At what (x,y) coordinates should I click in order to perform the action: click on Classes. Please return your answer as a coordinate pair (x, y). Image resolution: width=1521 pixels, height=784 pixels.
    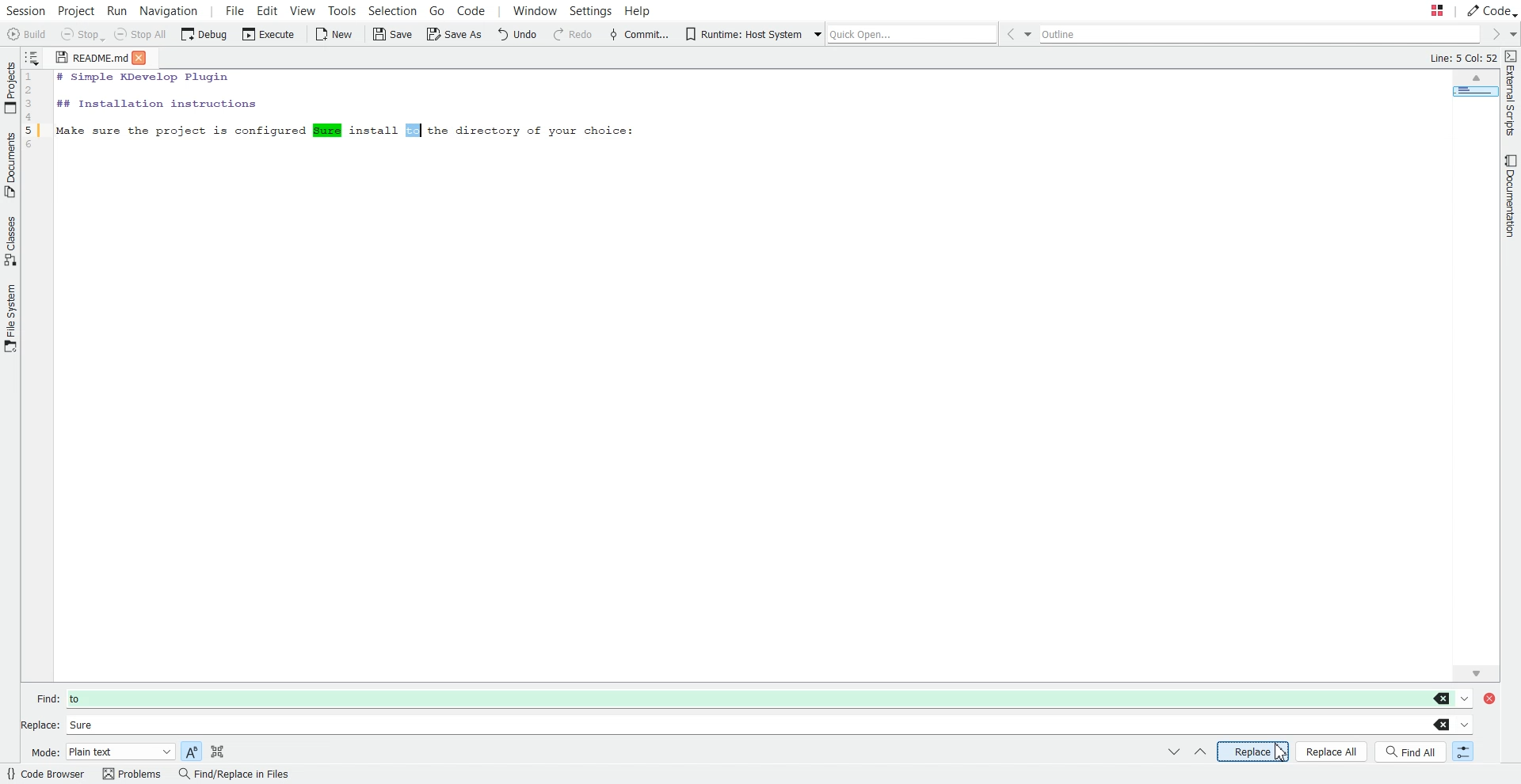
    Looking at the image, I should click on (10, 241).